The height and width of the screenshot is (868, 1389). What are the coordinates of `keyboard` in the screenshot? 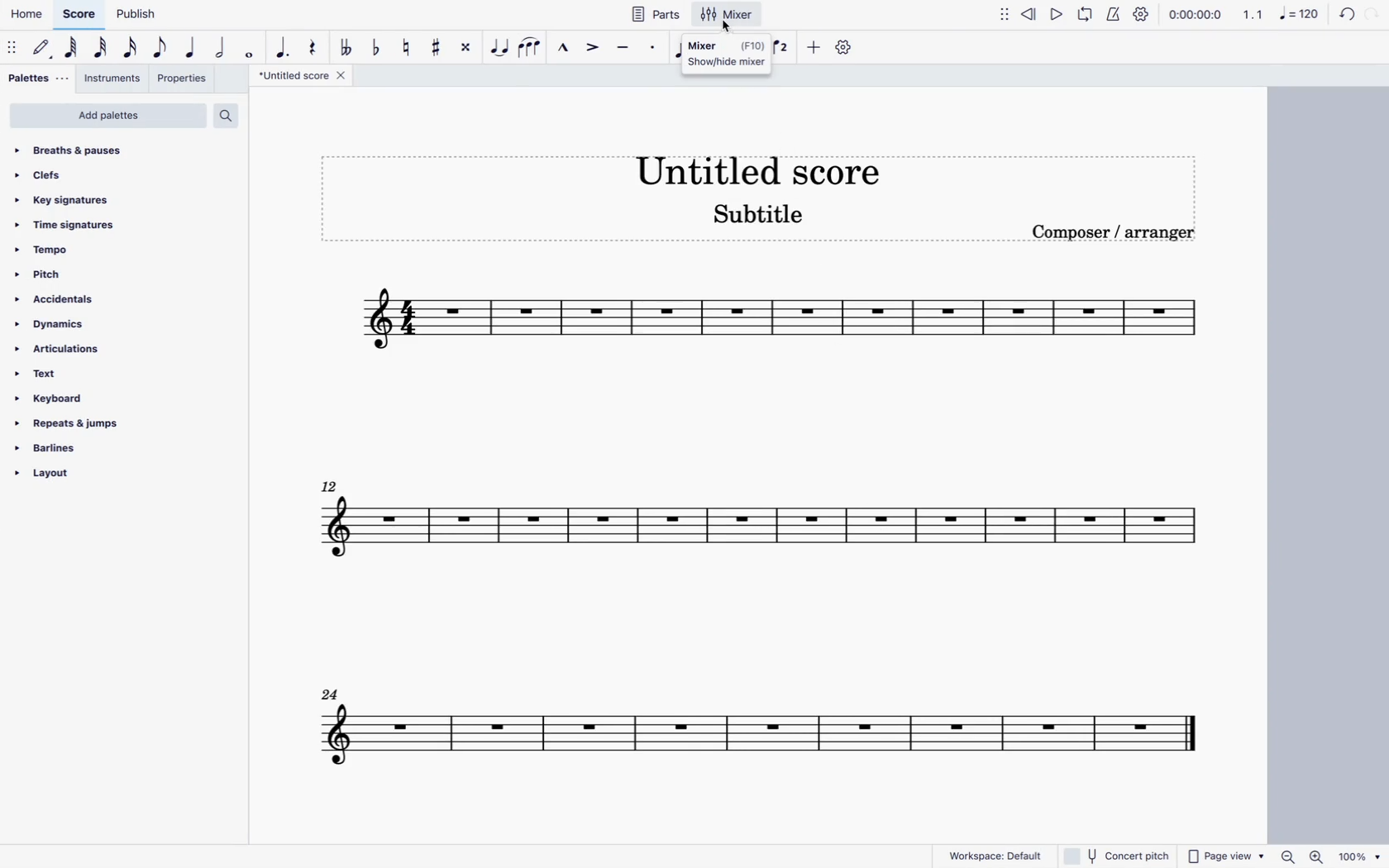 It's located at (58, 398).